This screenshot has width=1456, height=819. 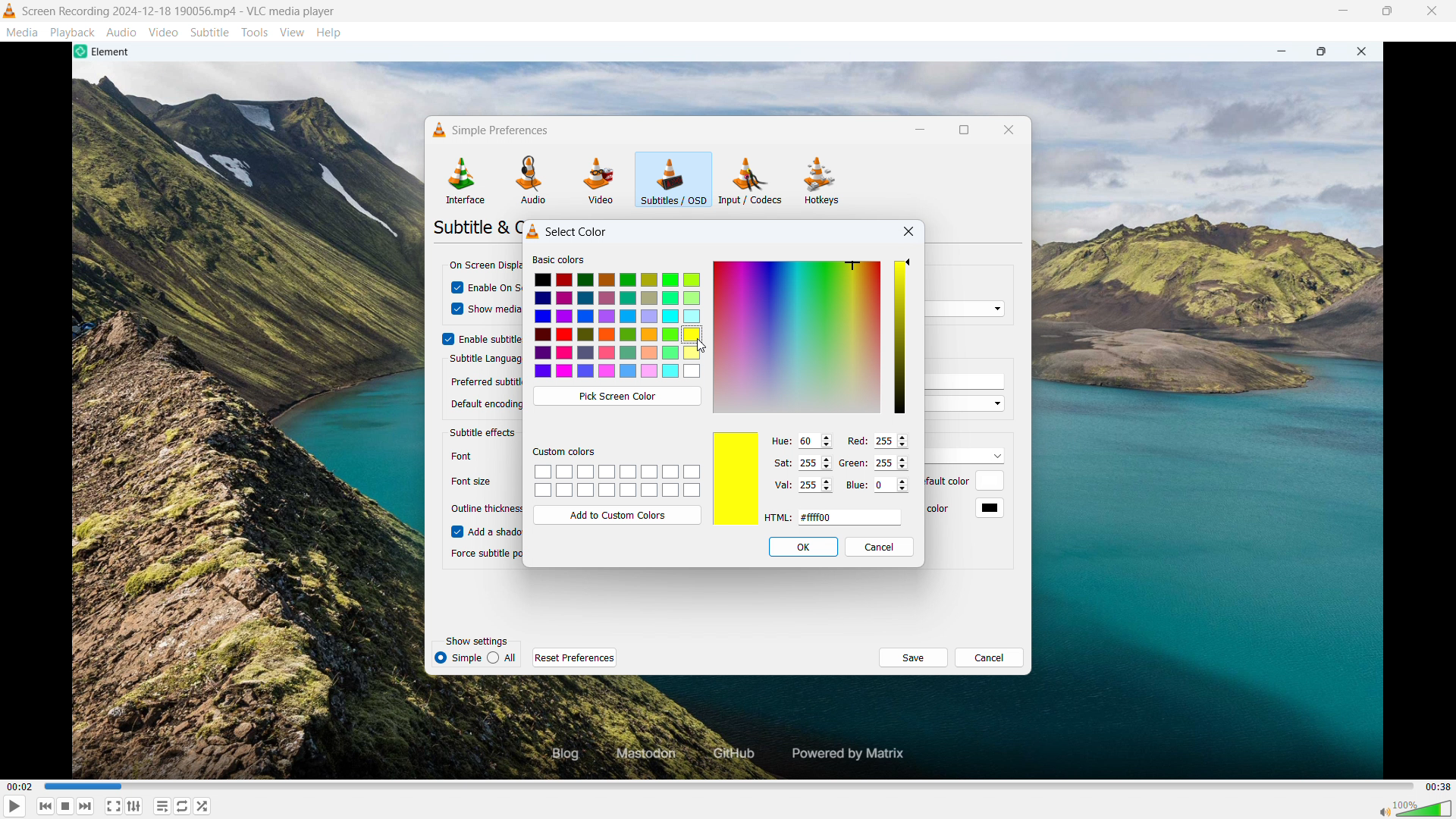 What do you see at coordinates (183, 805) in the screenshot?
I see `Toggle between loop all, loop one & no loop ` at bounding box center [183, 805].